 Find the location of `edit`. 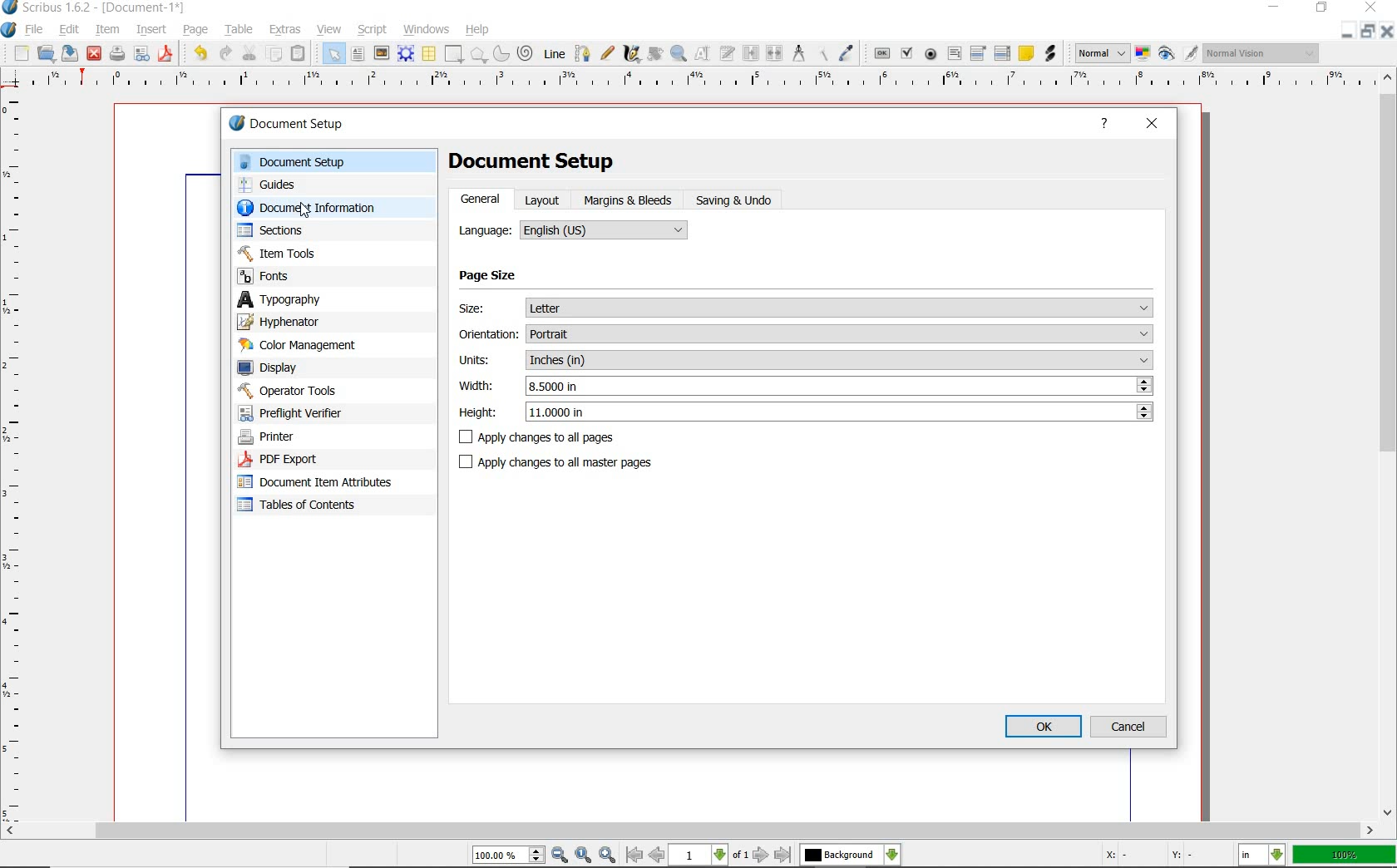

edit is located at coordinates (70, 29).